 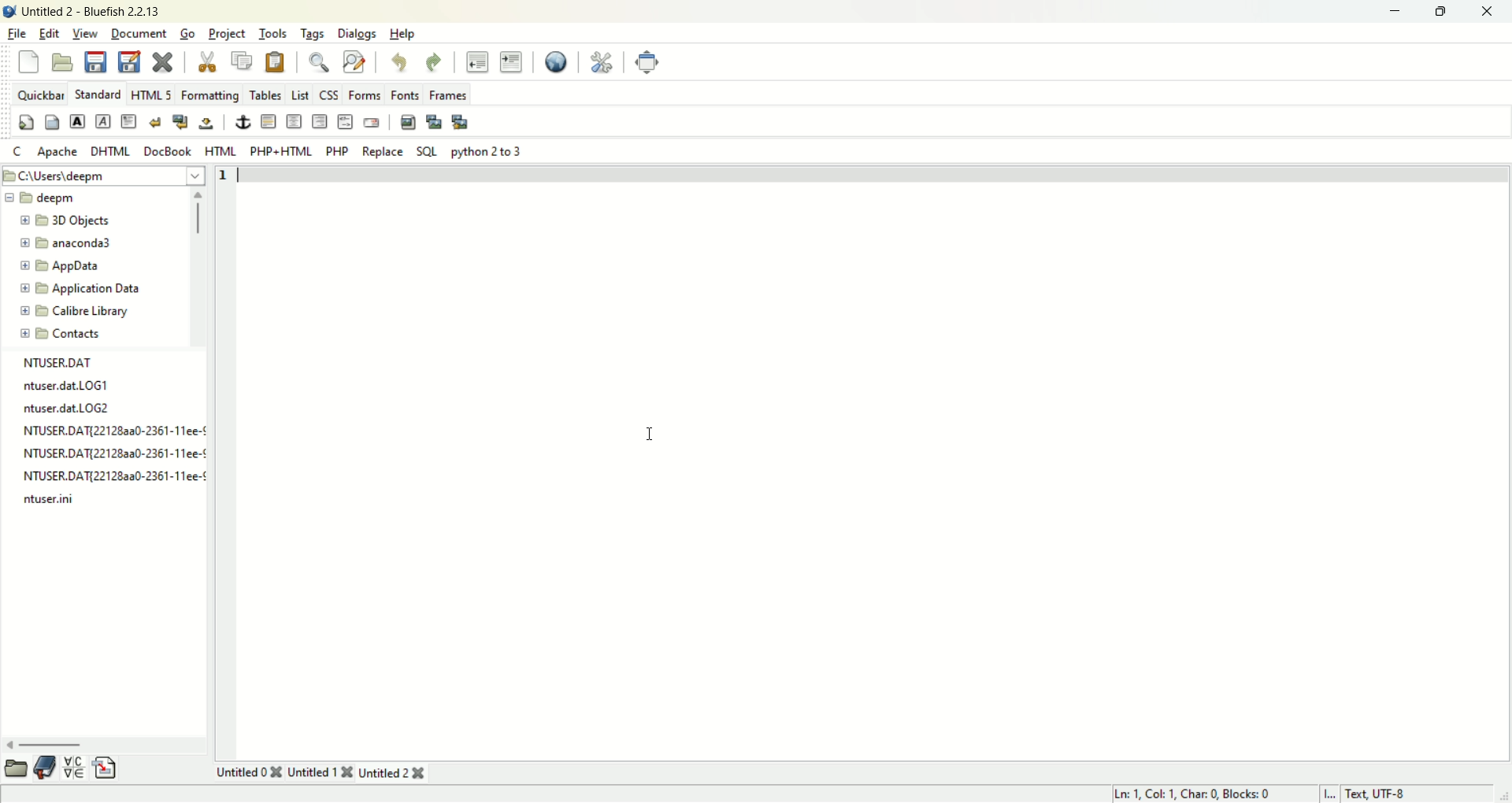 What do you see at coordinates (16, 35) in the screenshot?
I see `file` at bounding box center [16, 35].